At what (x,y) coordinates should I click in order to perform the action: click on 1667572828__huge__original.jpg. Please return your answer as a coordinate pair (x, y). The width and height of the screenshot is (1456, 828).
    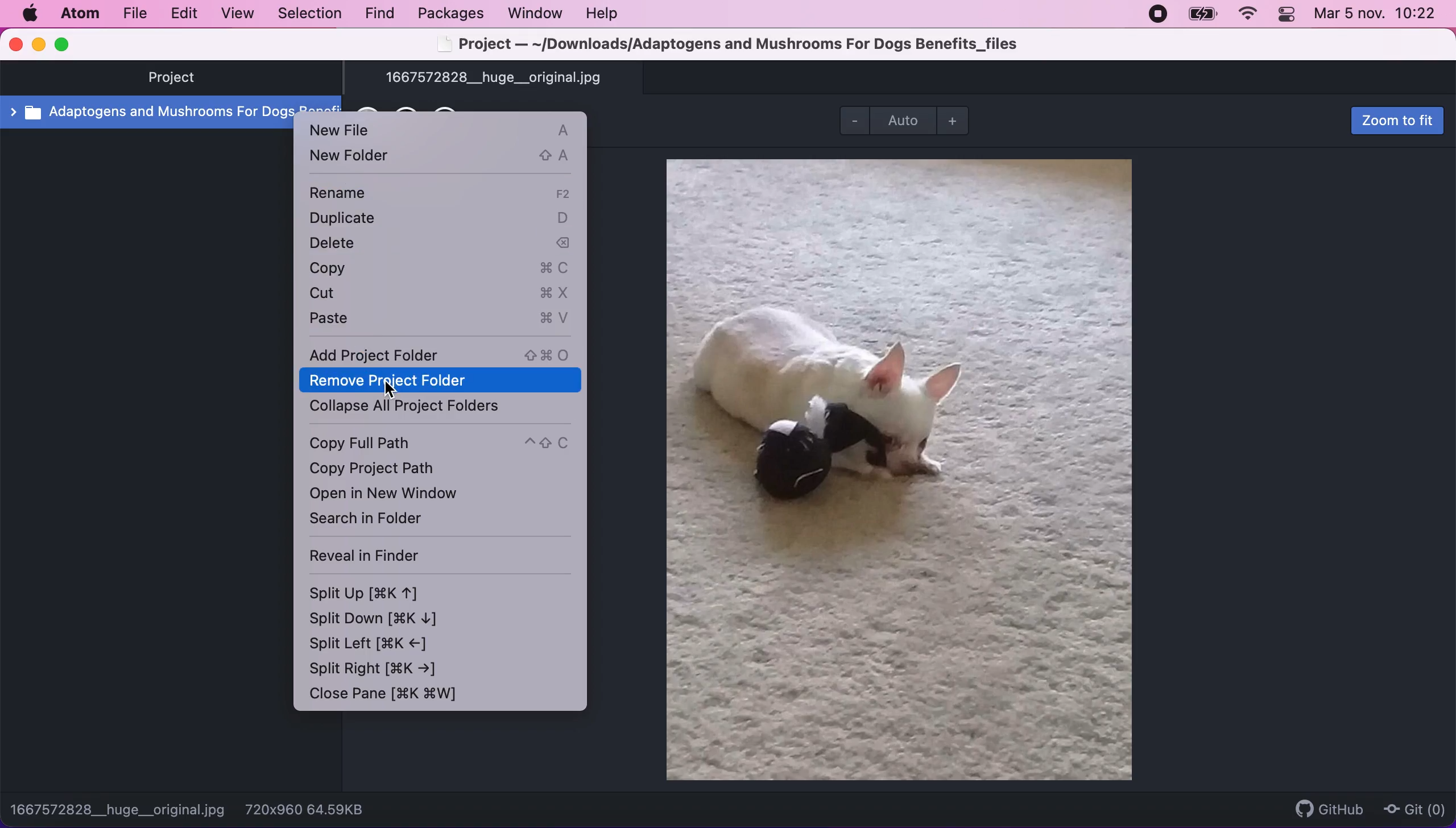
    Looking at the image, I should click on (494, 78).